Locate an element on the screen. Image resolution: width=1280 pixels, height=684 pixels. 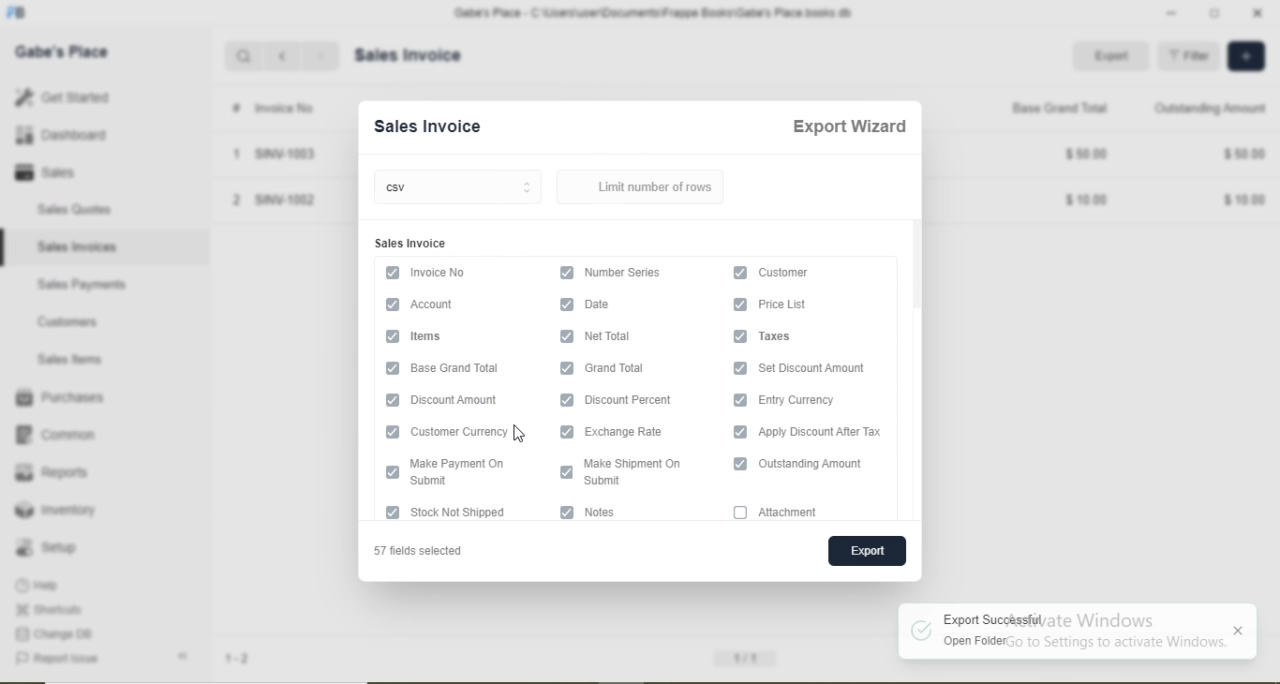
checkbox is located at coordinates (392, 471).